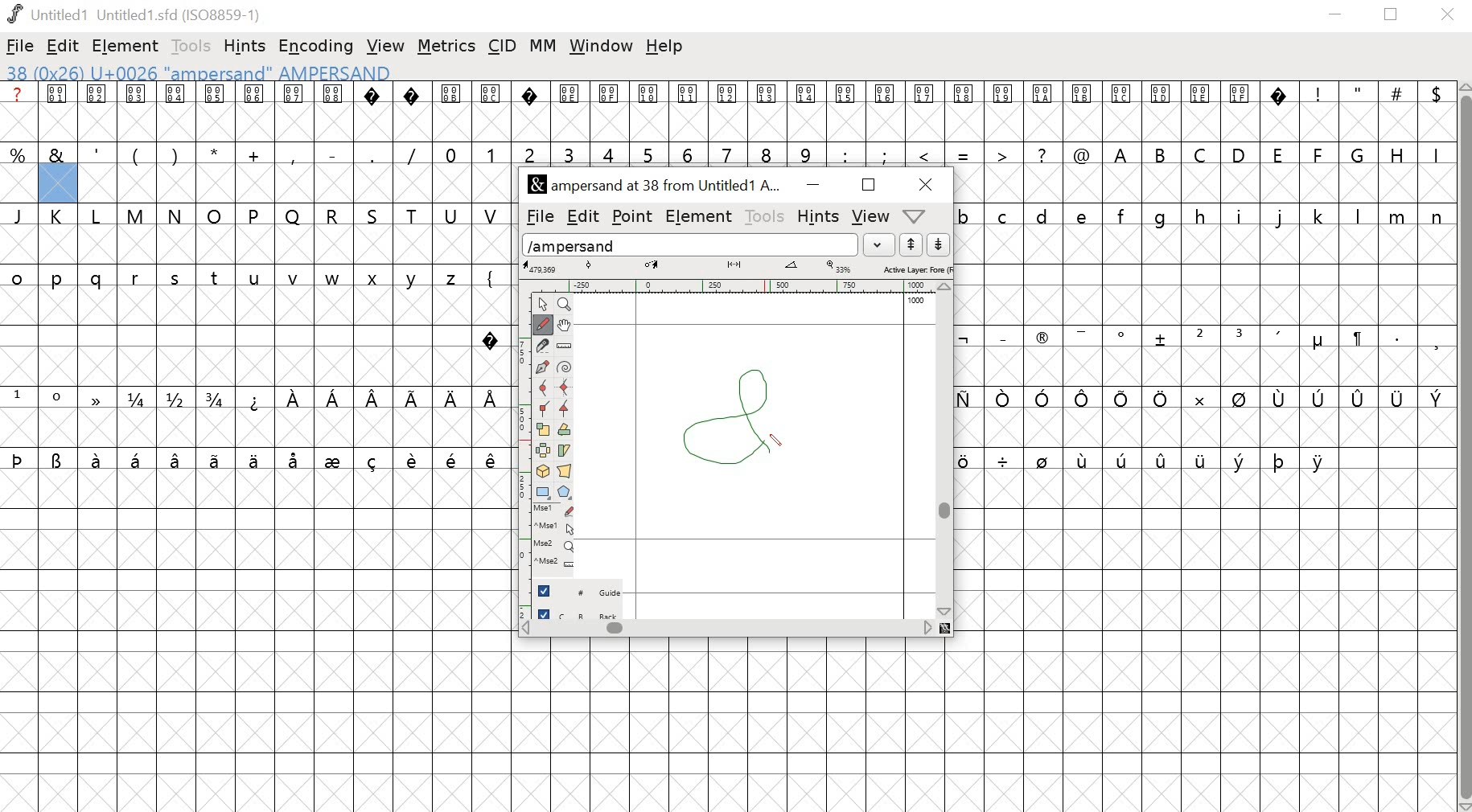 The height and width of the screenshot is (812, 1472). I want to click on toggle spiral, so click(565, 367).